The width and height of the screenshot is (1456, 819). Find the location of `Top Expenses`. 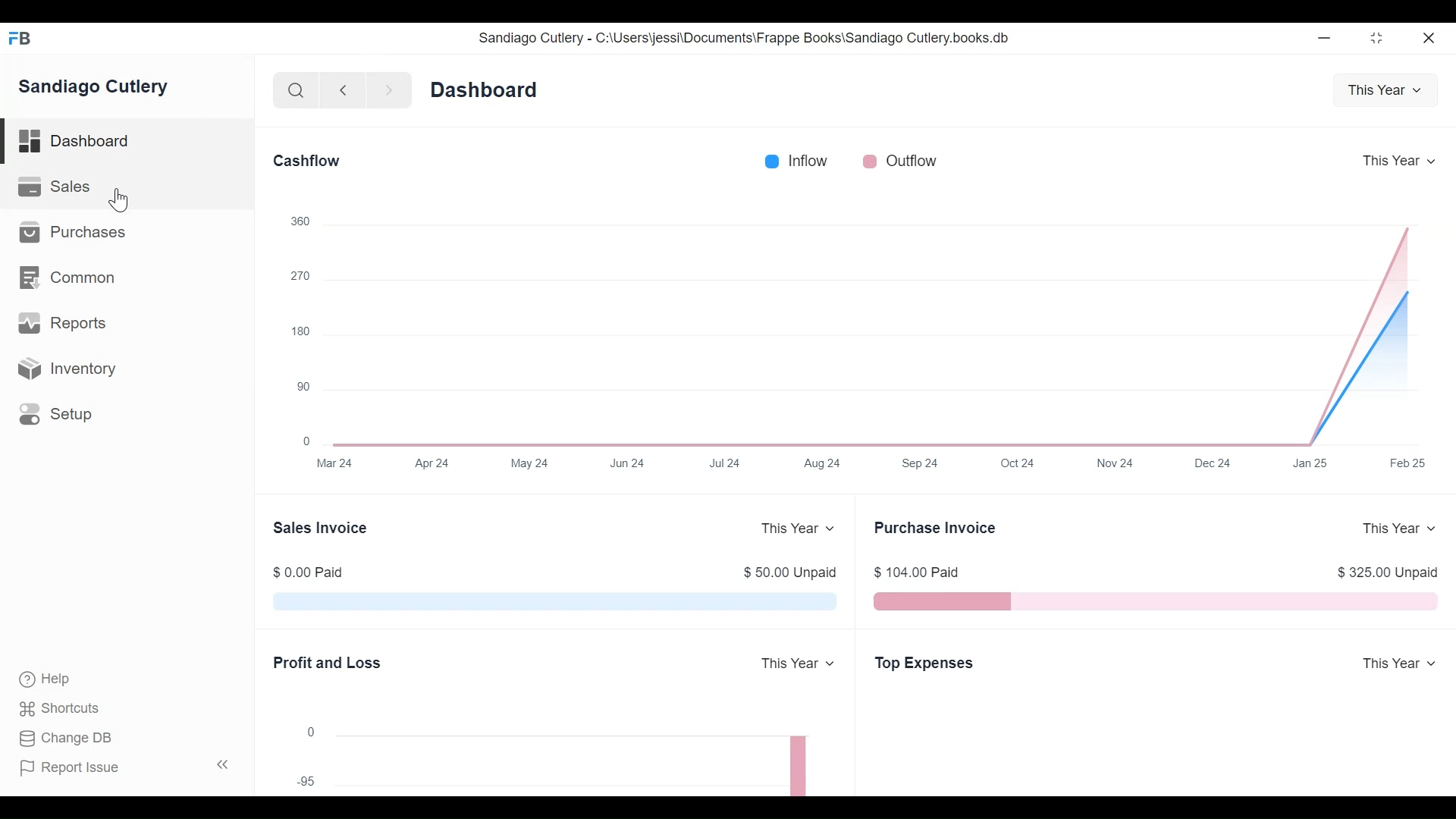

Top Expenses is located at coordinates (927, 664).